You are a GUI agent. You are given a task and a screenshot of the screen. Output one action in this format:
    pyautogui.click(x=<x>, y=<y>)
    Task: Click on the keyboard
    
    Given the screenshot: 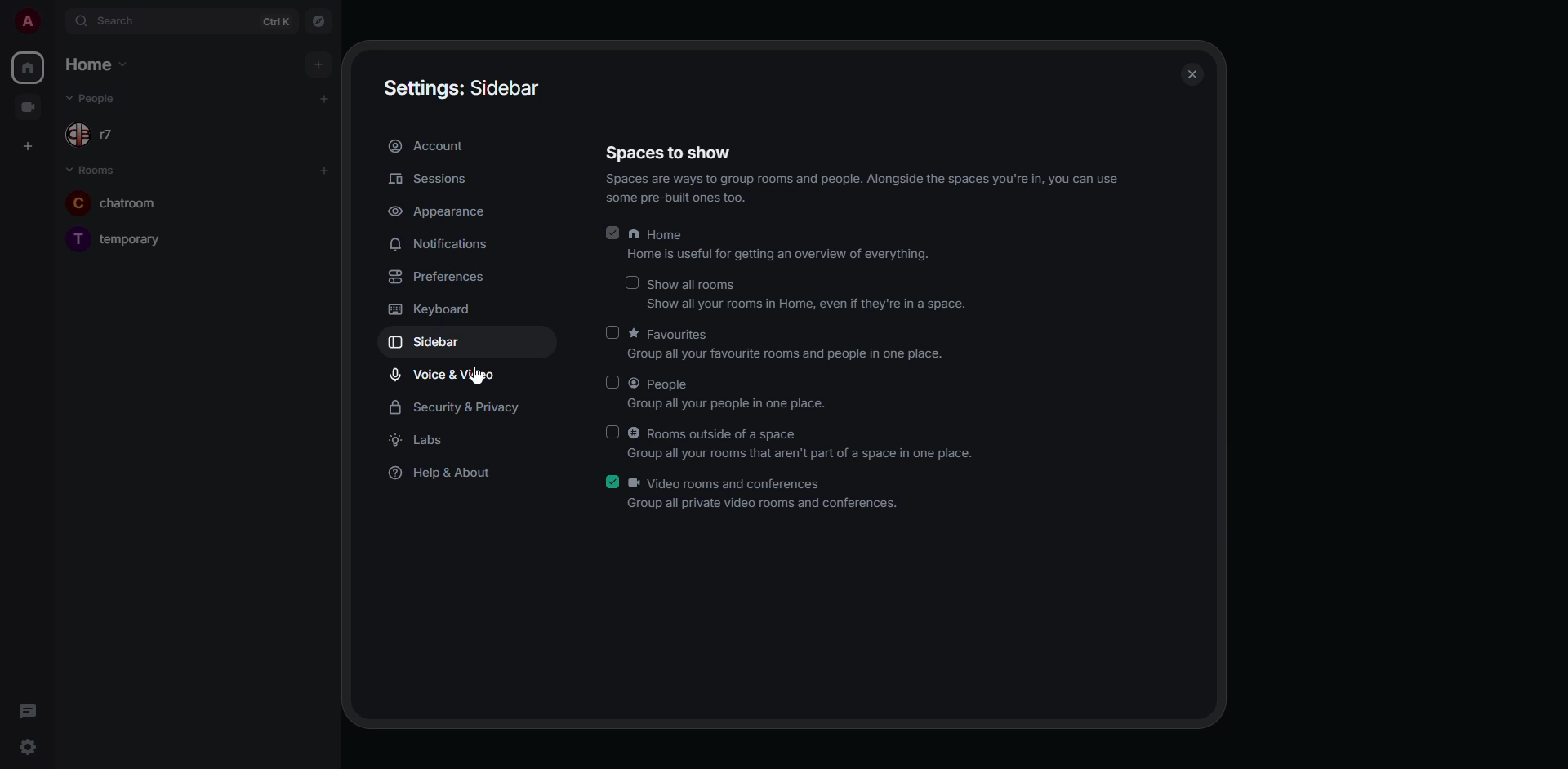 What is the action you would take?
    pyautogui.click(x=434, y=309)
    